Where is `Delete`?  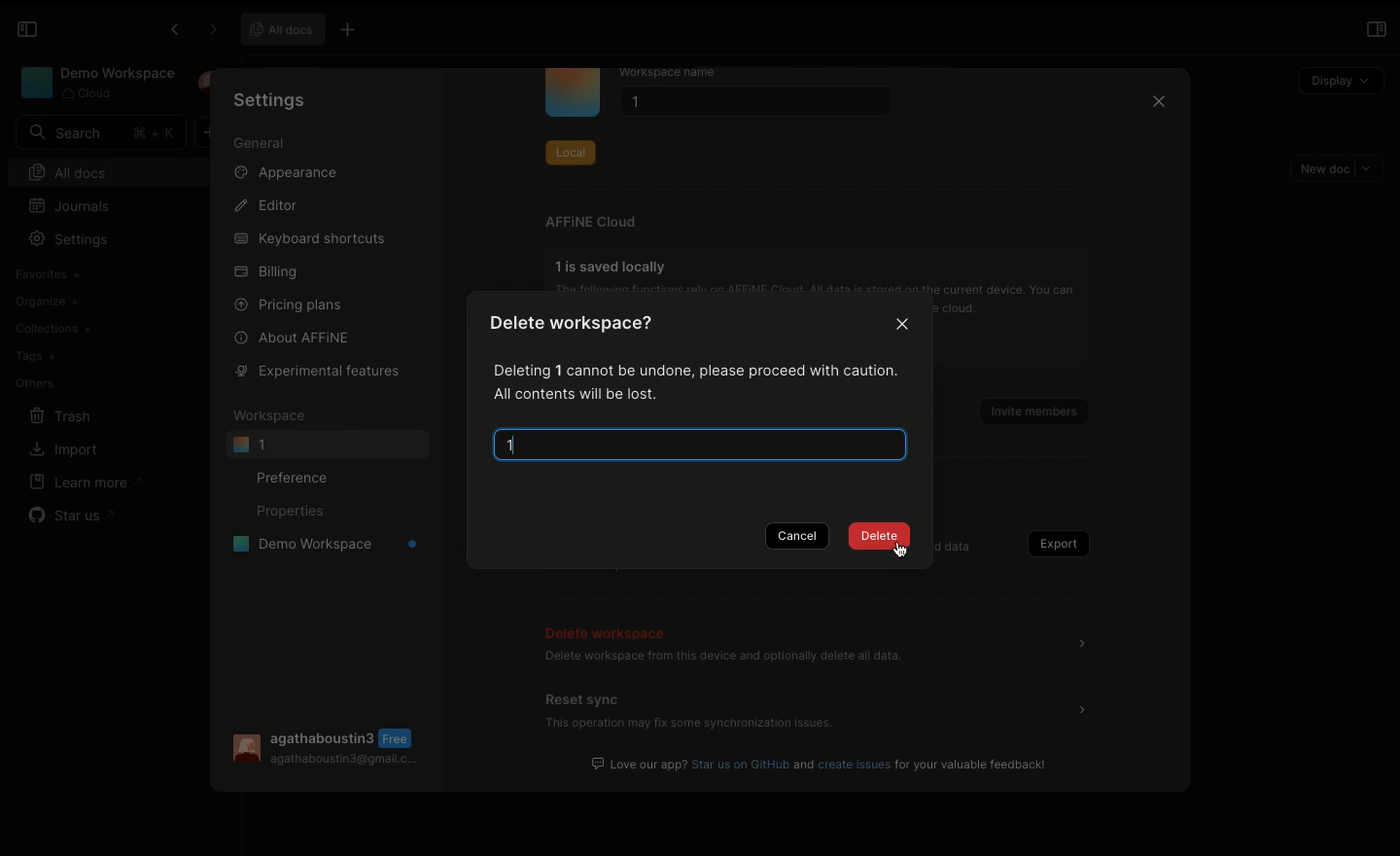 Delete is located at coordinates (879, 538).